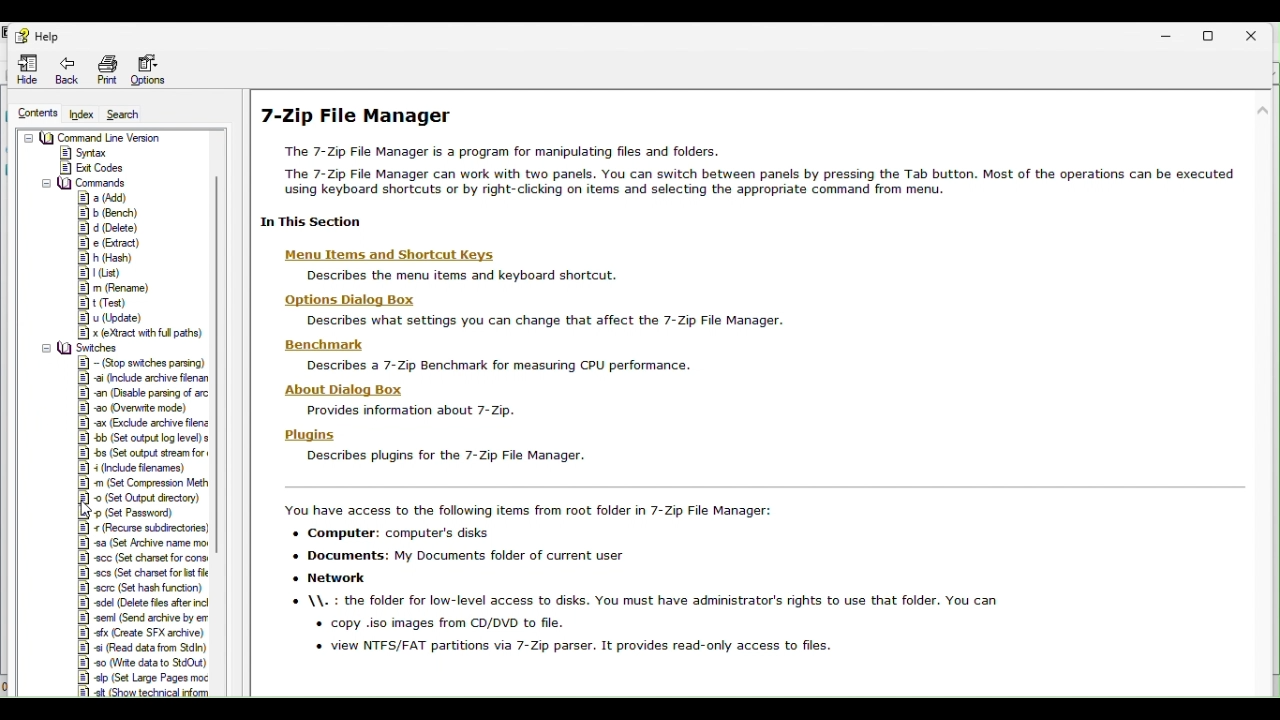 This screenshot has height=720, width=1280. I want to click on Read data from standard in, so click(140, 647).